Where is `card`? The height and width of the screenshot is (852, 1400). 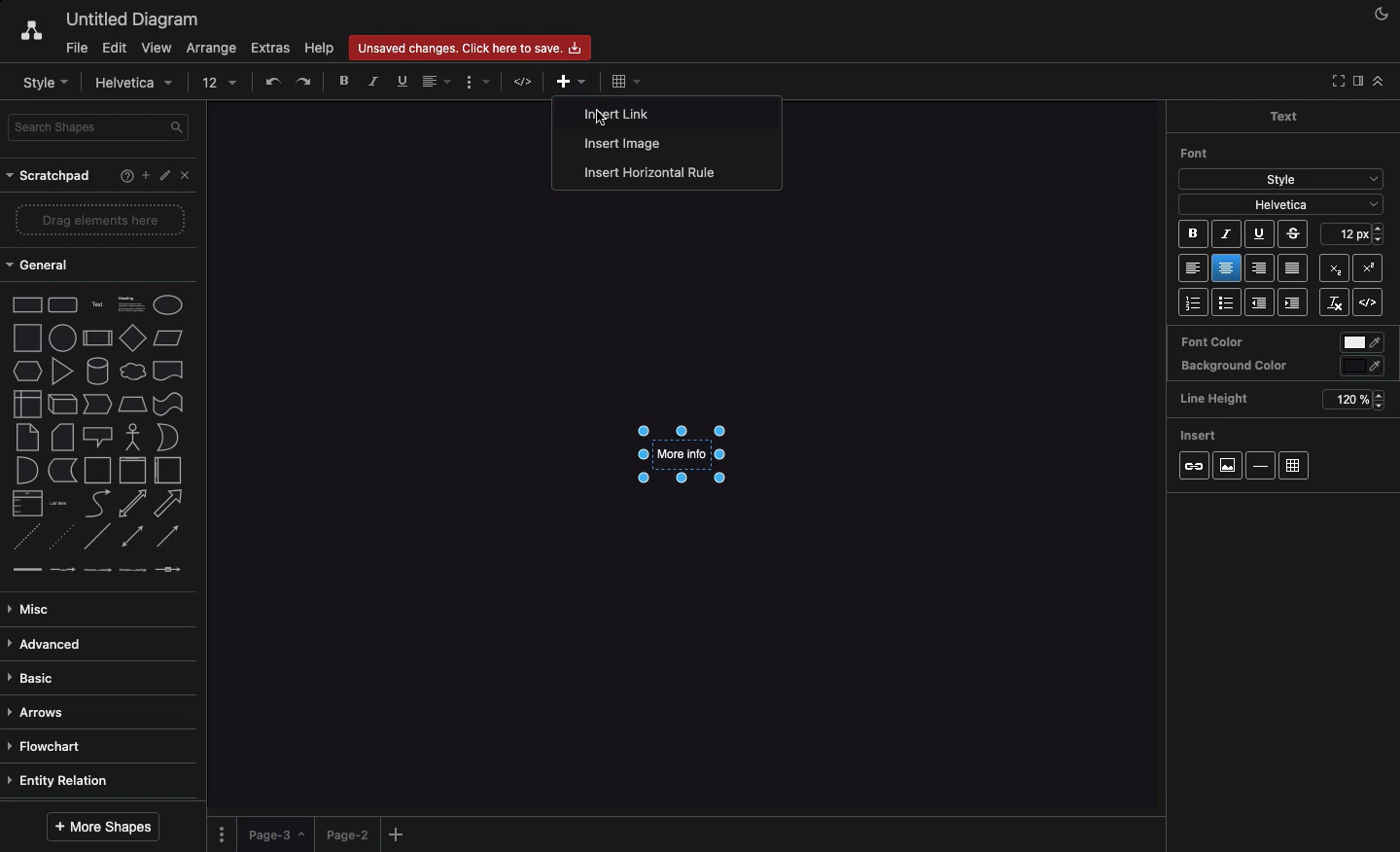 card is located at coordinates (63, 436).